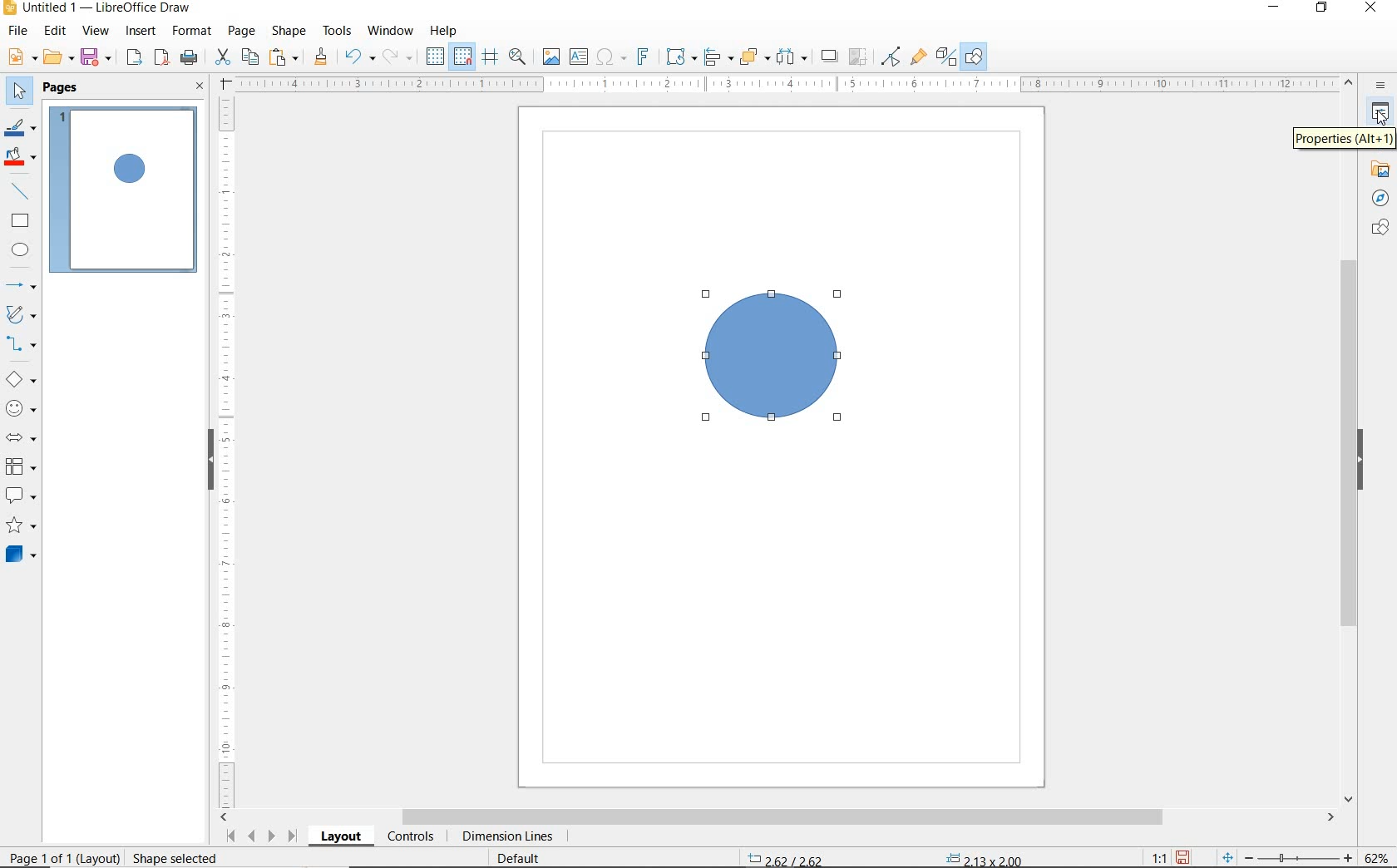 This screenshot has width=1397, height=868. Describe the element at coordinates (777, 818) in the screenshot. I see `SCROLLBAR` at that location.